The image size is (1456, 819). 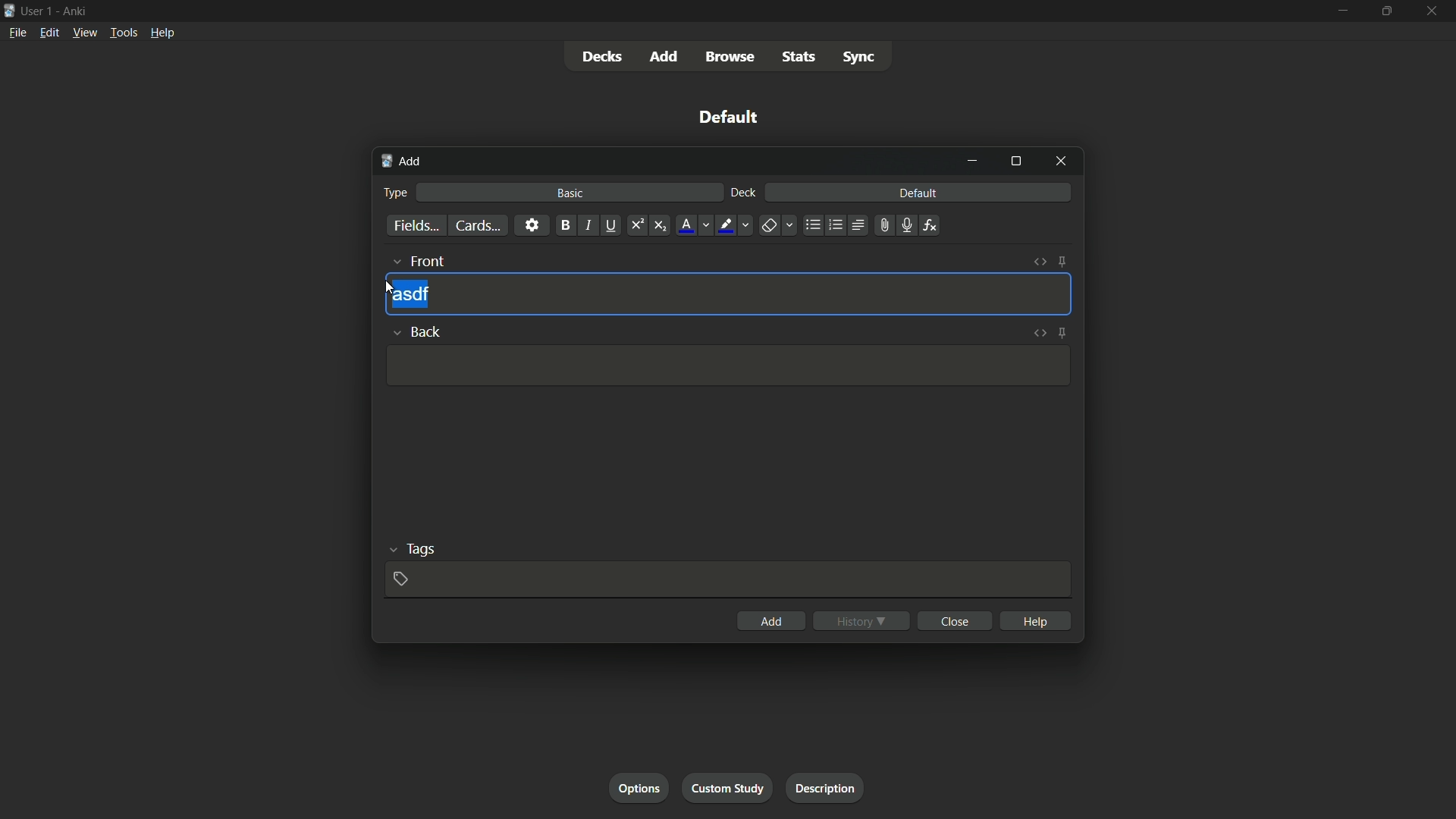 I want to click on subscript, so click(x=661, y=225).